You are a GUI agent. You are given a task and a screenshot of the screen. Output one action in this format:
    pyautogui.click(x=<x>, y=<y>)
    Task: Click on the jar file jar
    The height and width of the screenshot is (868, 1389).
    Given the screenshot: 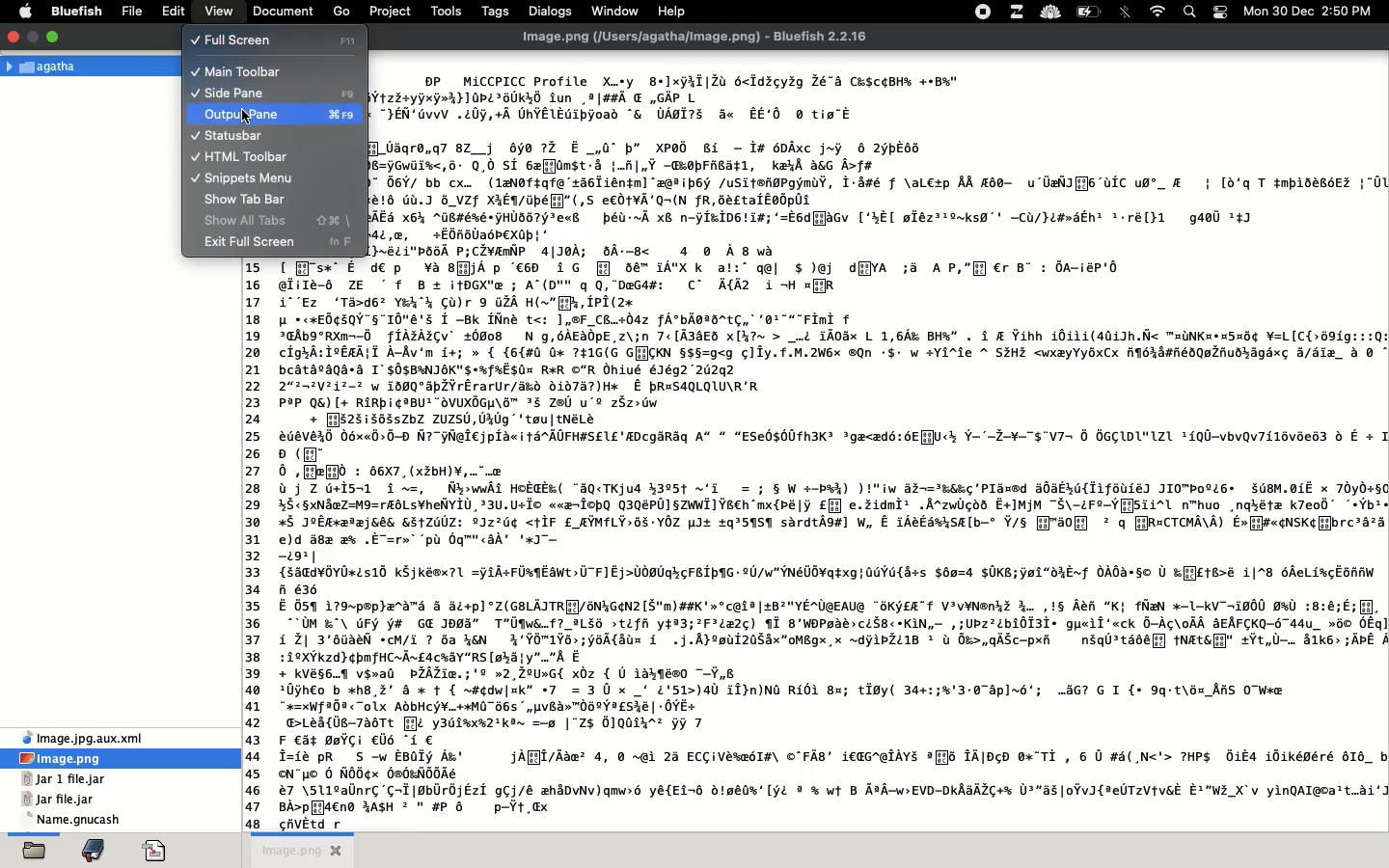 What is the action you would take?
    pyautogui.click(x=64, y=799)
    